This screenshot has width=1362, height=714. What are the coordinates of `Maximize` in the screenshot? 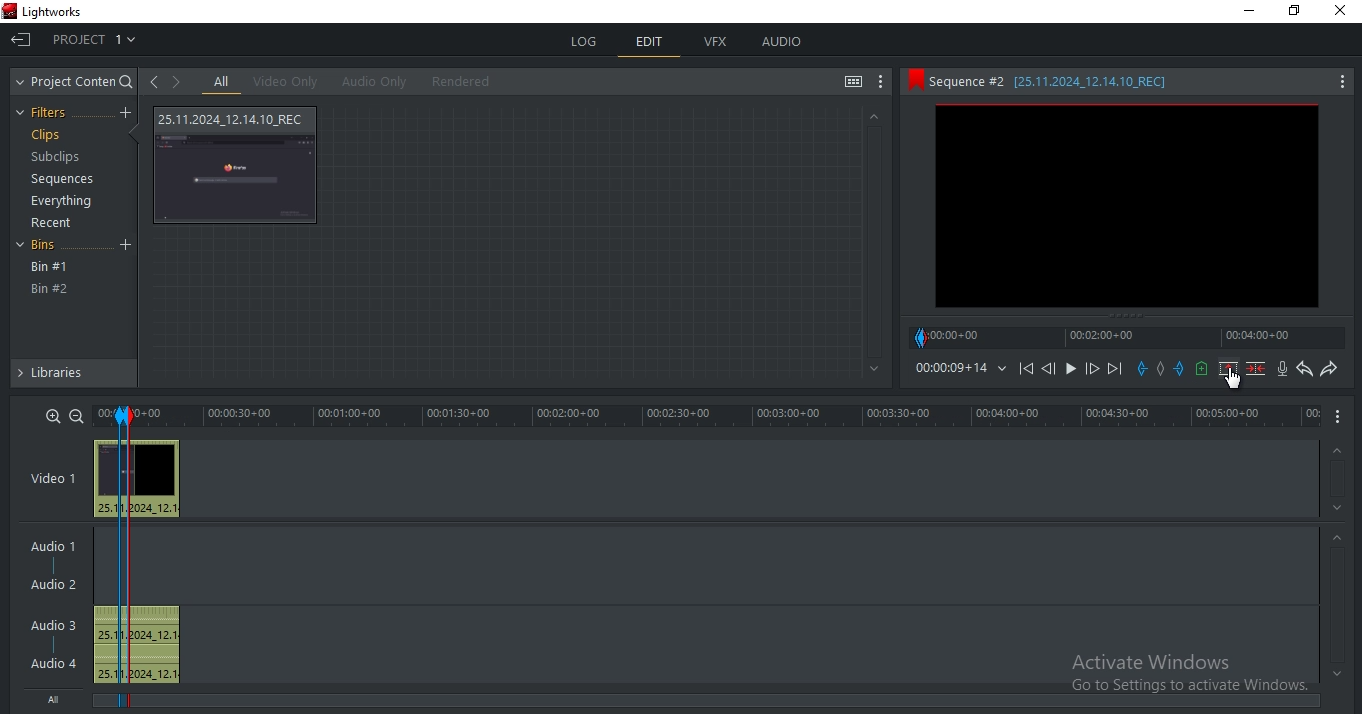 It's located at (1299, 14).